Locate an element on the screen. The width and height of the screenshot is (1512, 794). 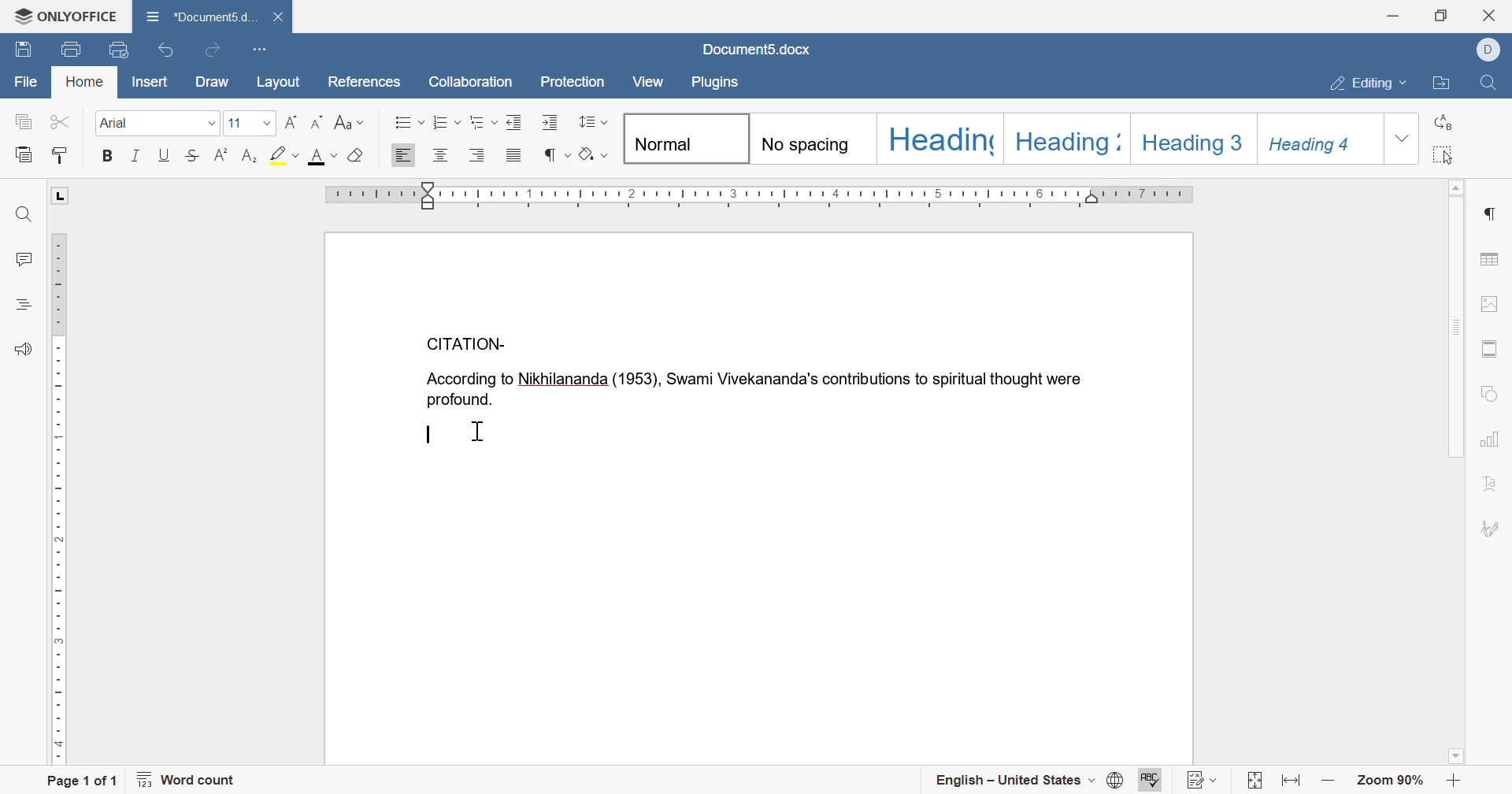
clear style is located at coordinates (357, 156).